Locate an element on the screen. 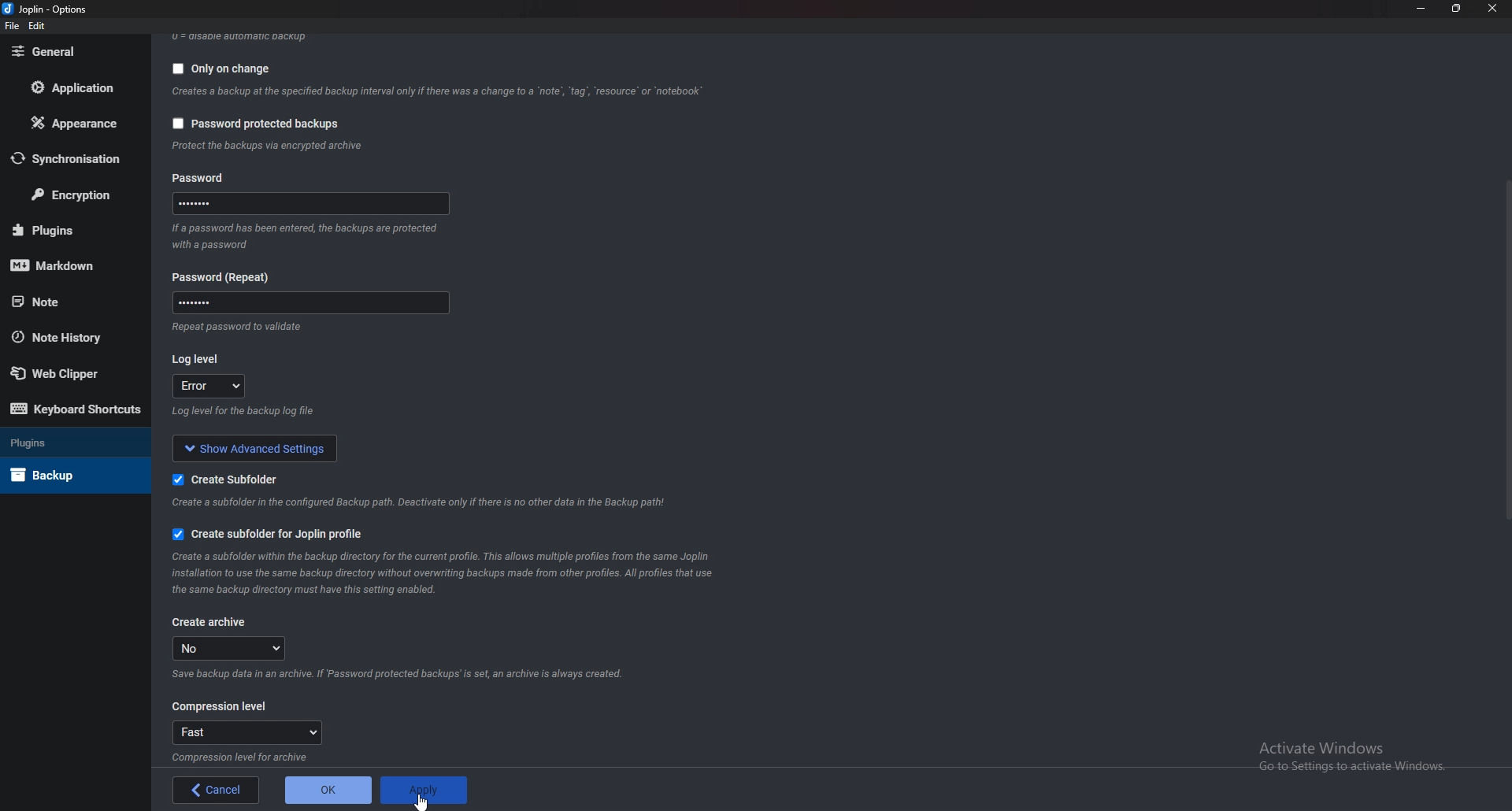  scroll bar is located at coordinates (1506, 352).